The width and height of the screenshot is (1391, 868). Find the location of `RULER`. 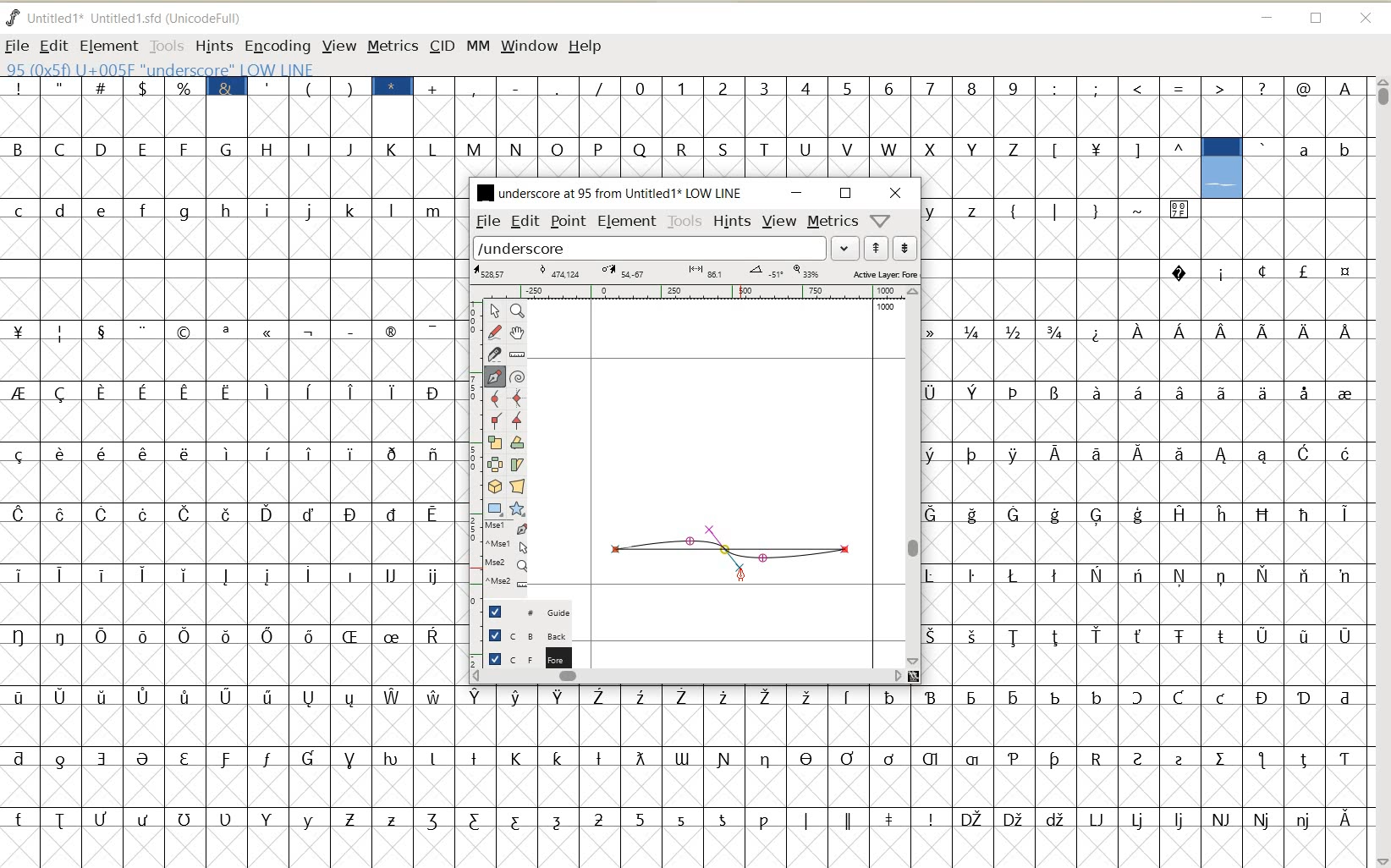

RULER is located at coordinates (690, 292).